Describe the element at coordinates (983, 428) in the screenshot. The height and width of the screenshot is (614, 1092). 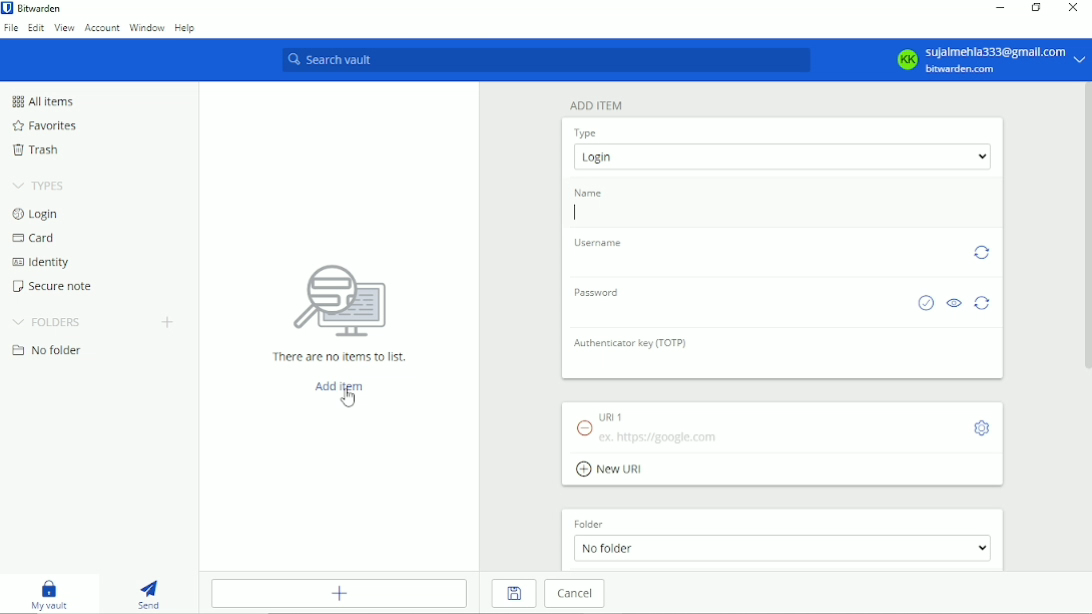
I see `Toggle options` at that location.